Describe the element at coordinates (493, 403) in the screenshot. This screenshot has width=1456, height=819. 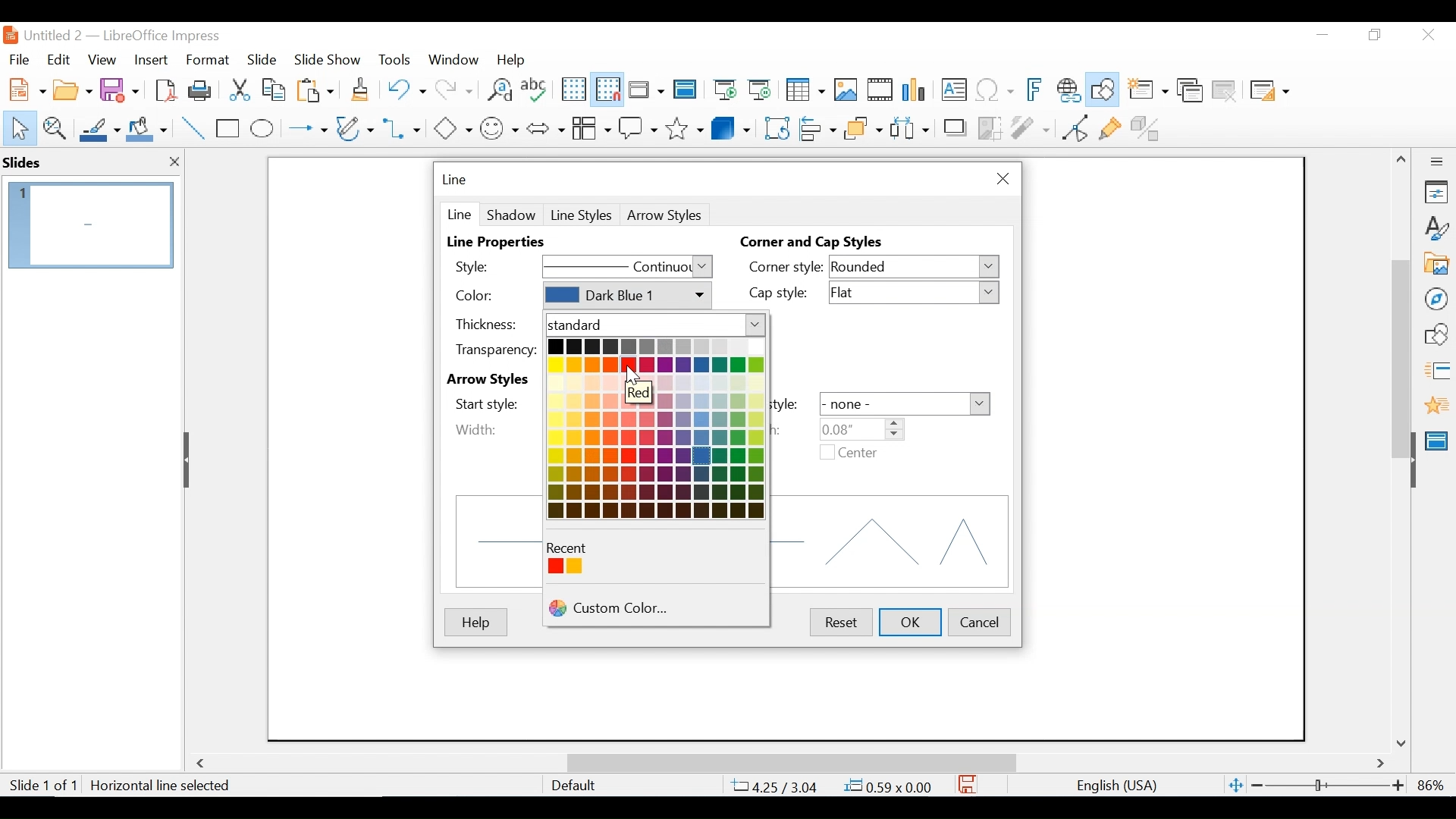
I see `Start Style` at that location.